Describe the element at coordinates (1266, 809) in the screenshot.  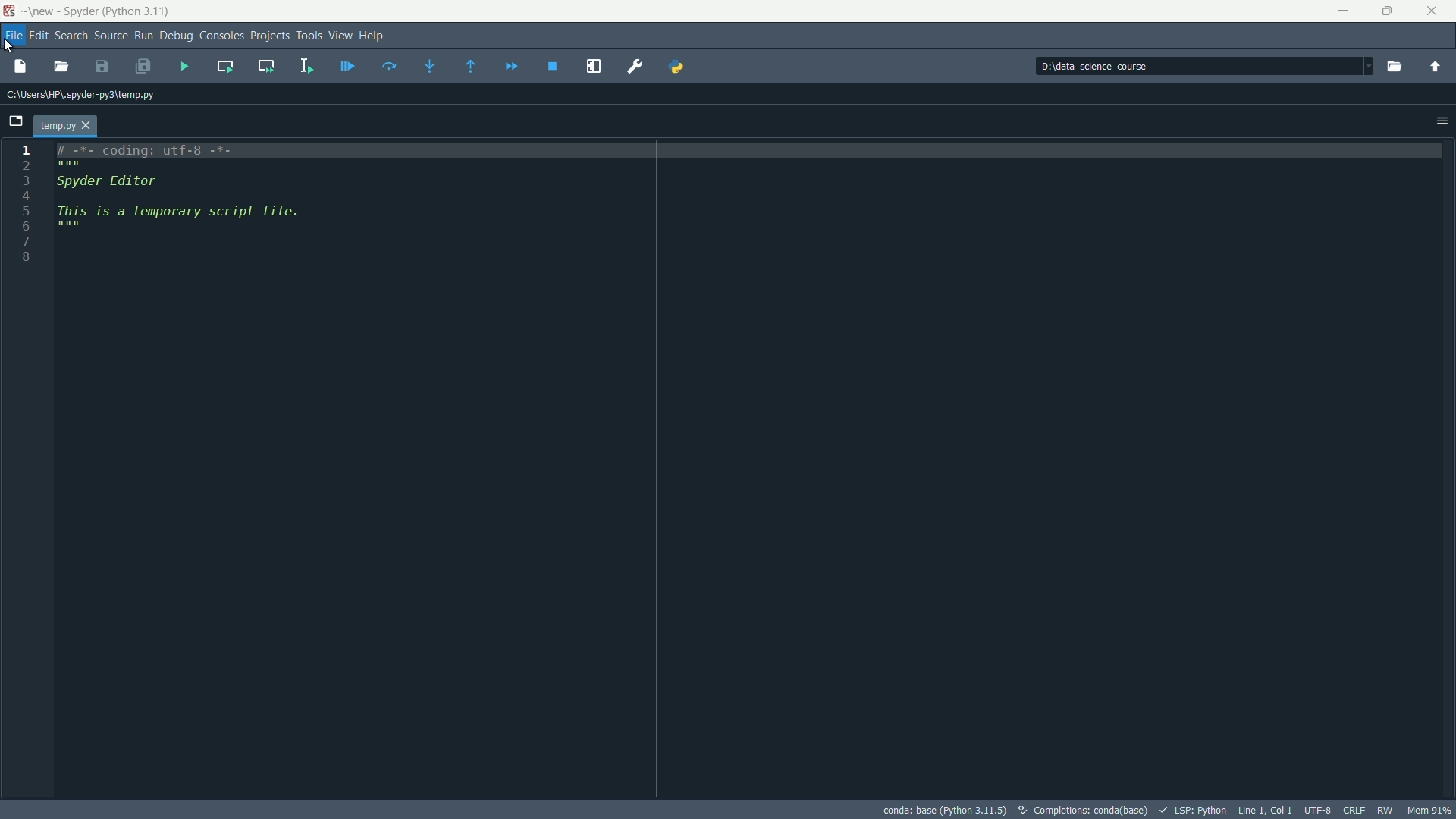
I see `cursor position` at that location.